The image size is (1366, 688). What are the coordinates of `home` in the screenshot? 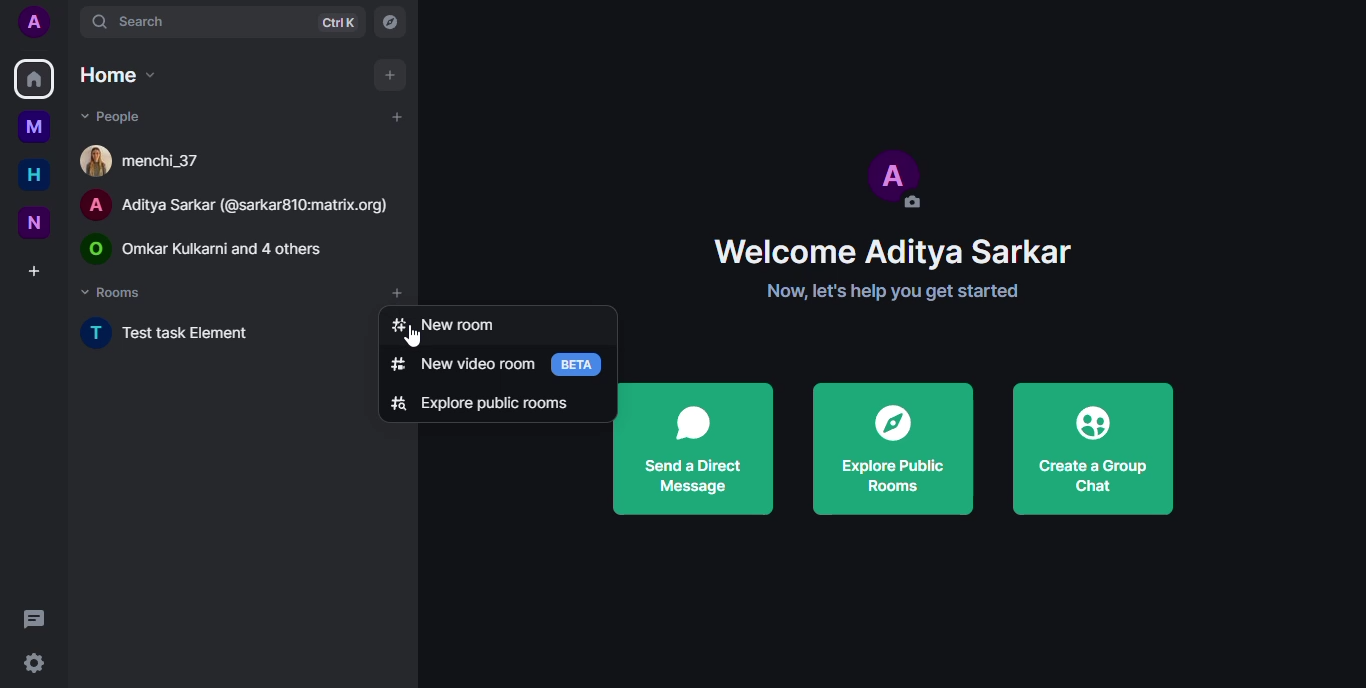 It's located at (117, 75).